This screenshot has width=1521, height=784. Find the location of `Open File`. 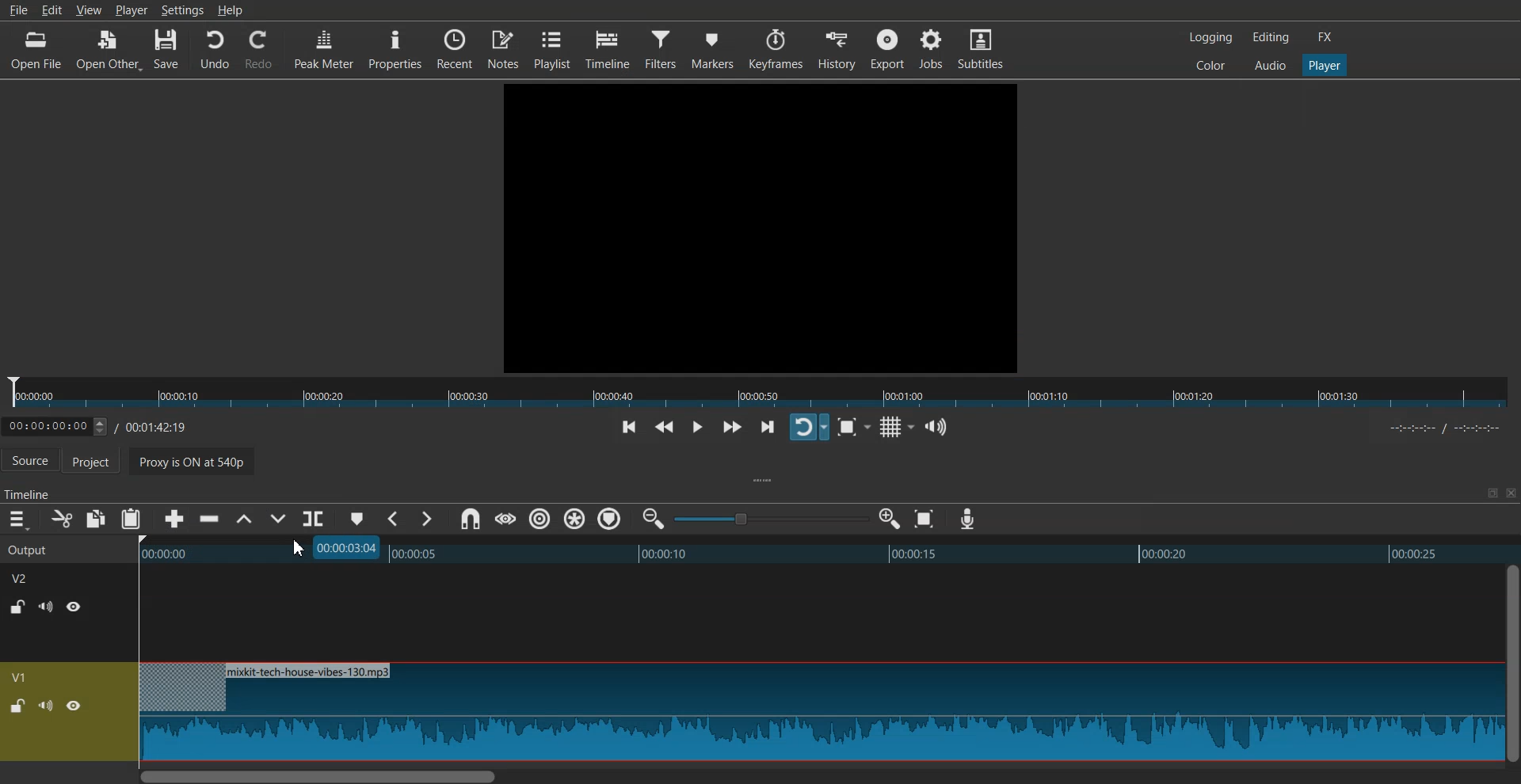

Open File is located at coordinates (38, 50).